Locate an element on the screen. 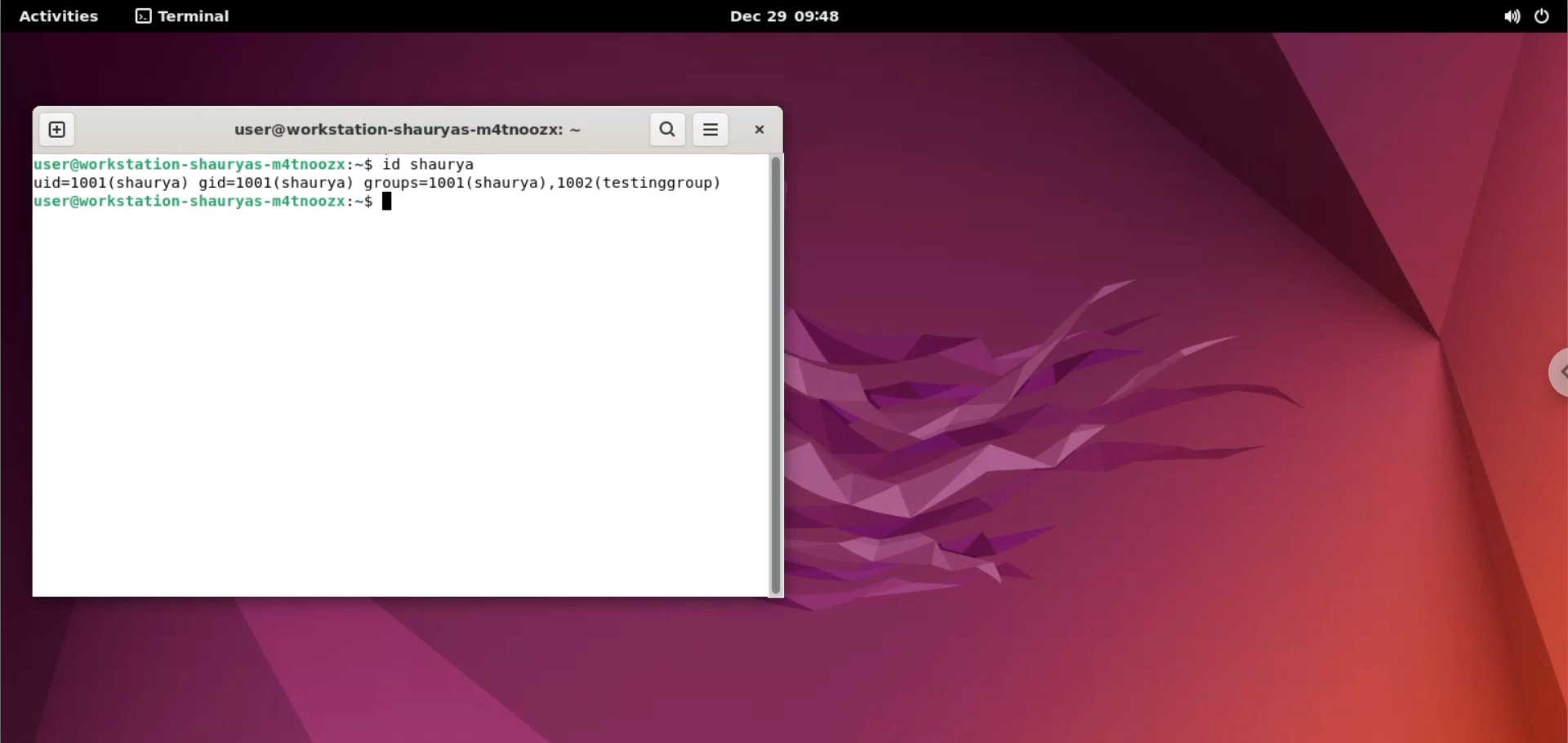 Image resolution: width=1568 pixels, height=743 pixels. sound option is located at coordinates (1511, 18).